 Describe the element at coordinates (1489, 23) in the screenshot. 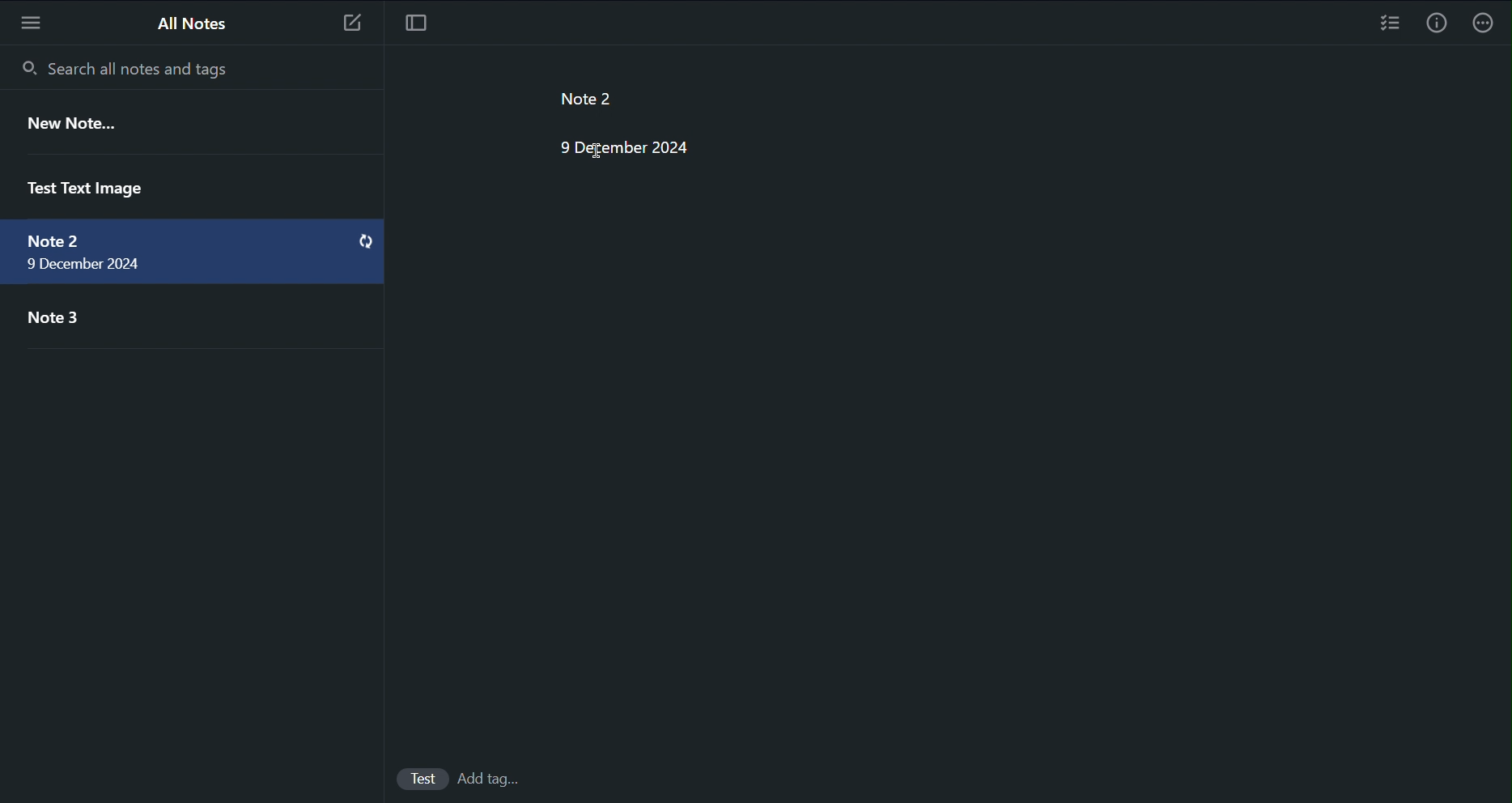

I see `More` at that location.